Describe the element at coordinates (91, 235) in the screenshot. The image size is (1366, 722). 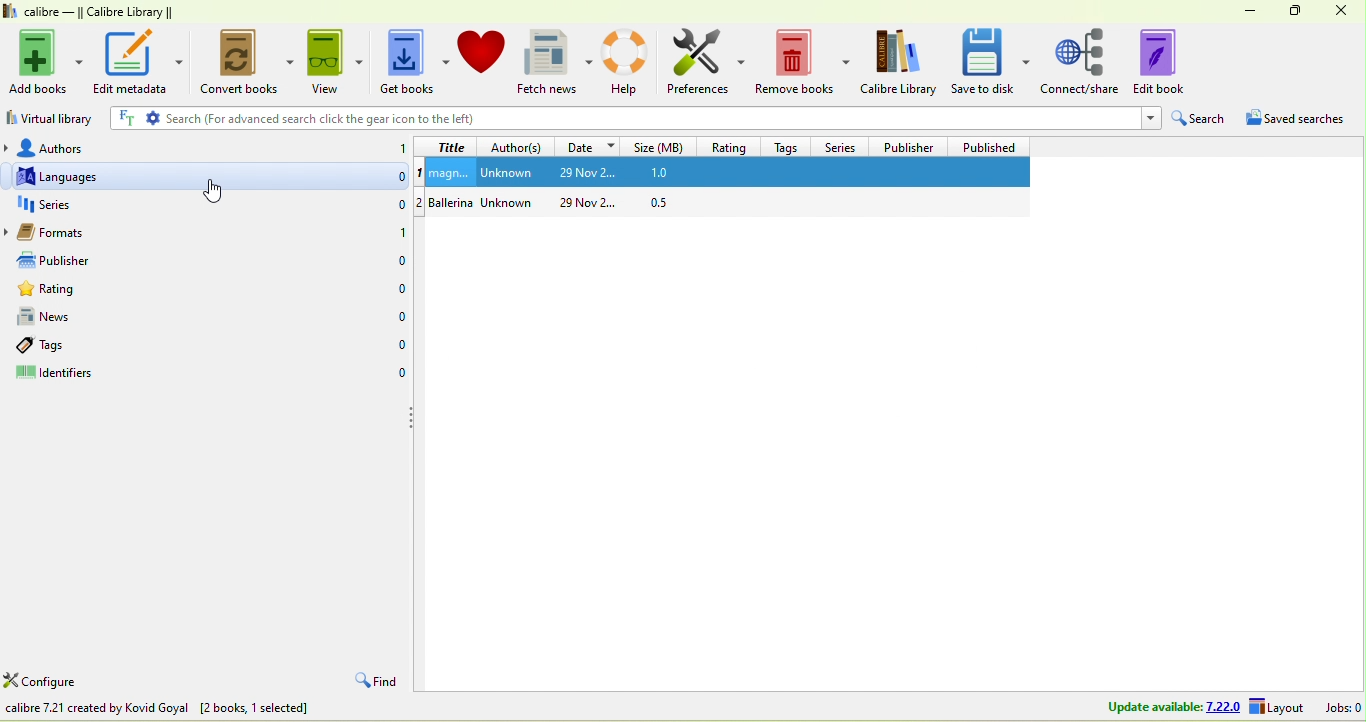
I see `formats` at that location.